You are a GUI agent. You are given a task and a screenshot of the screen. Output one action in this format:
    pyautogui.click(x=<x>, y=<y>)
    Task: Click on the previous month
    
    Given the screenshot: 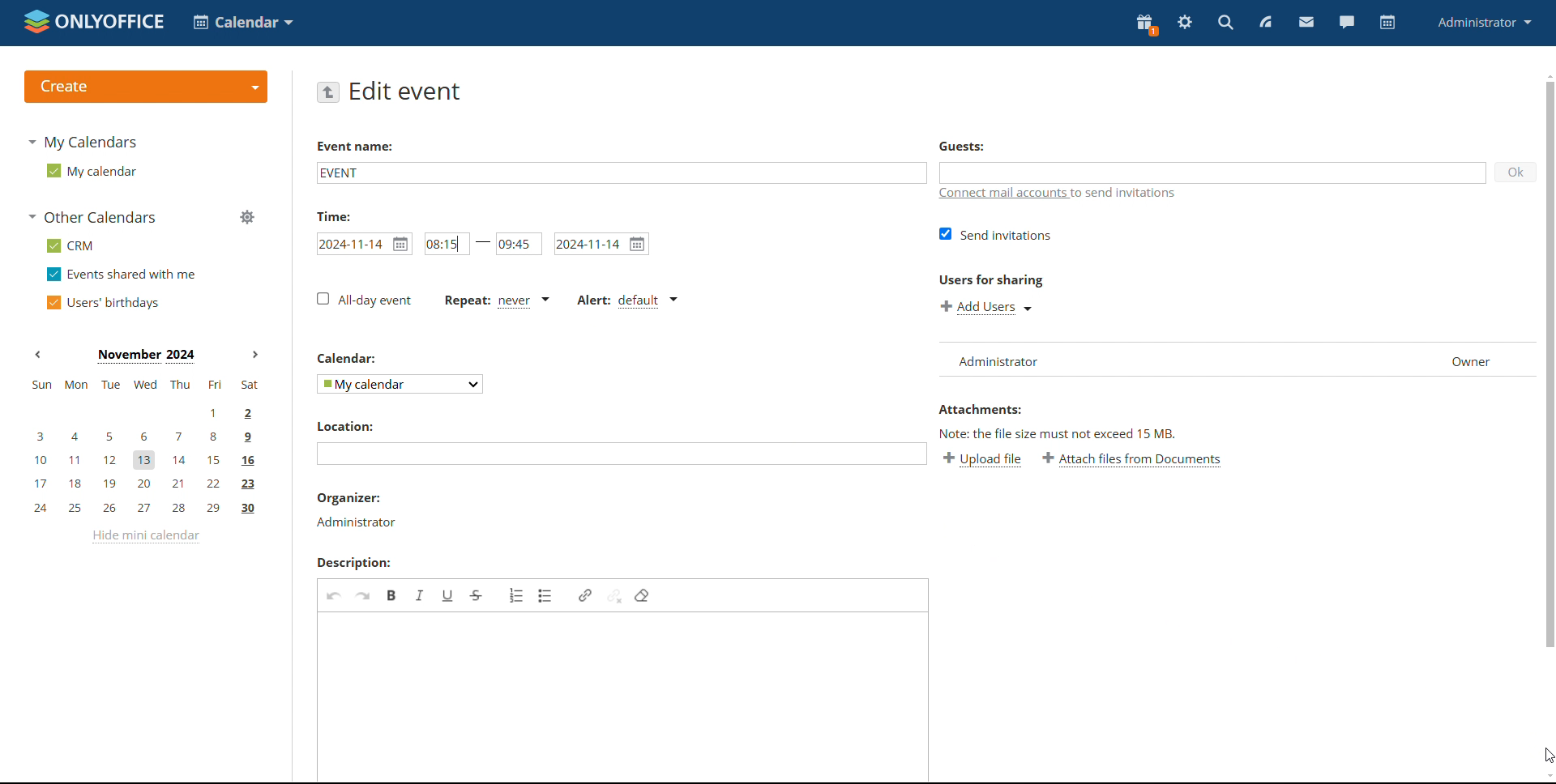 What is the action you would take?
    pyautogui.click(x=41, y=355)
    